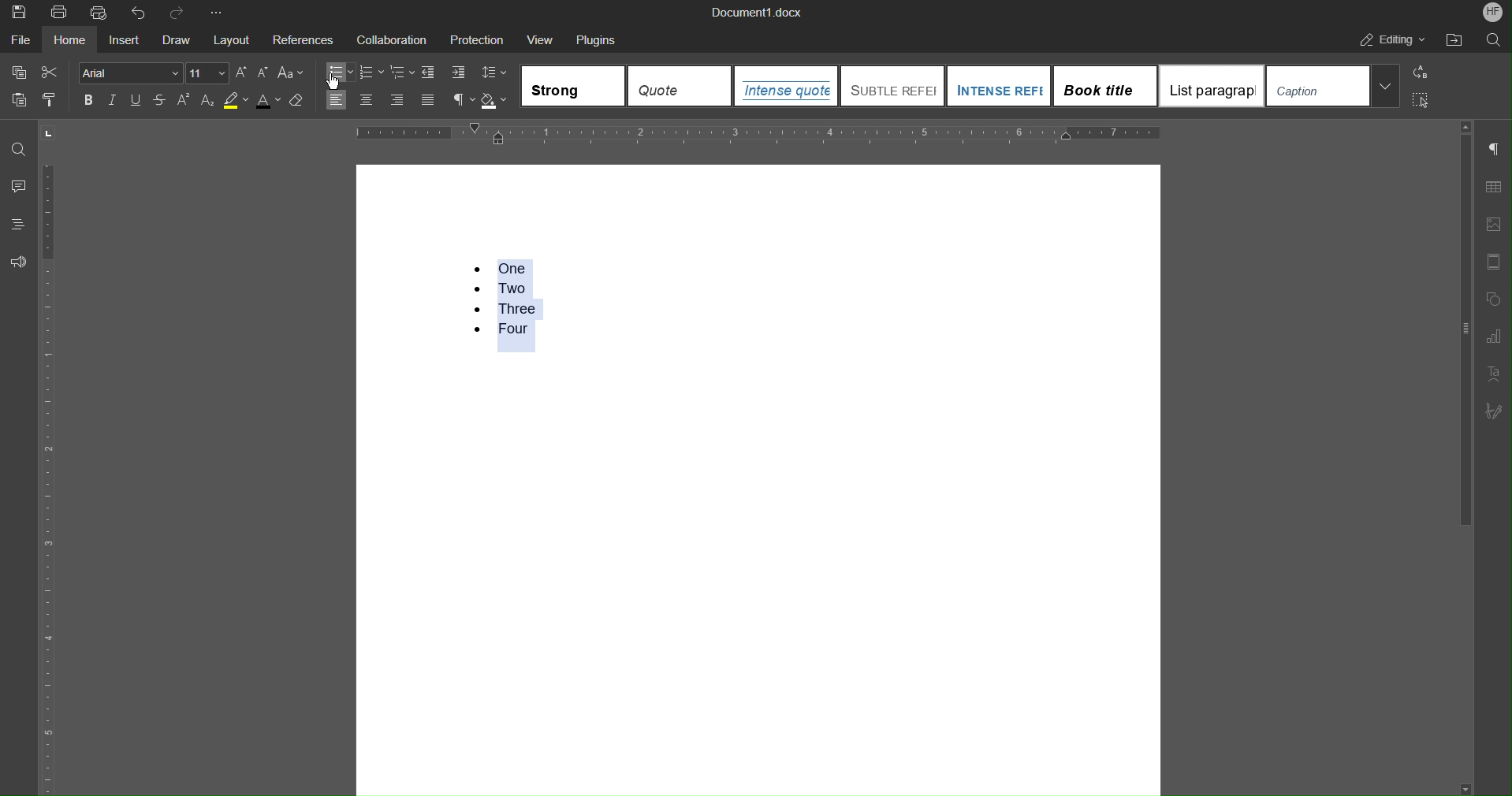 This screenshot has height=796, width=1512. What do you see at coordinates (426, 100) in the screenshot?
I see `Justify` at bounding box center [426, 100].